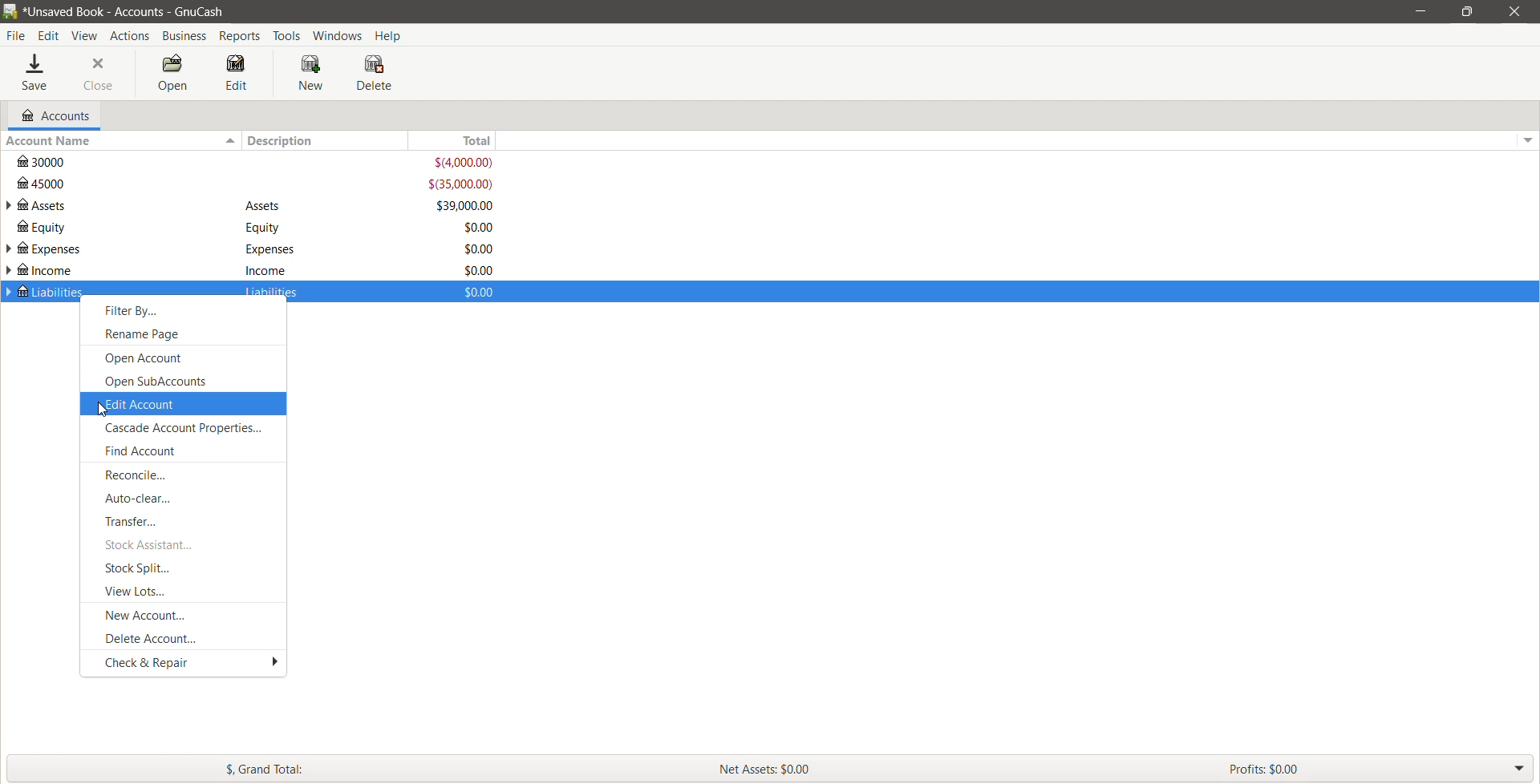 The width and height of the screenshot is (1540, 784). Describe the element at coordinates (241, 36) in the screenshot. I see `Reports` at that location.